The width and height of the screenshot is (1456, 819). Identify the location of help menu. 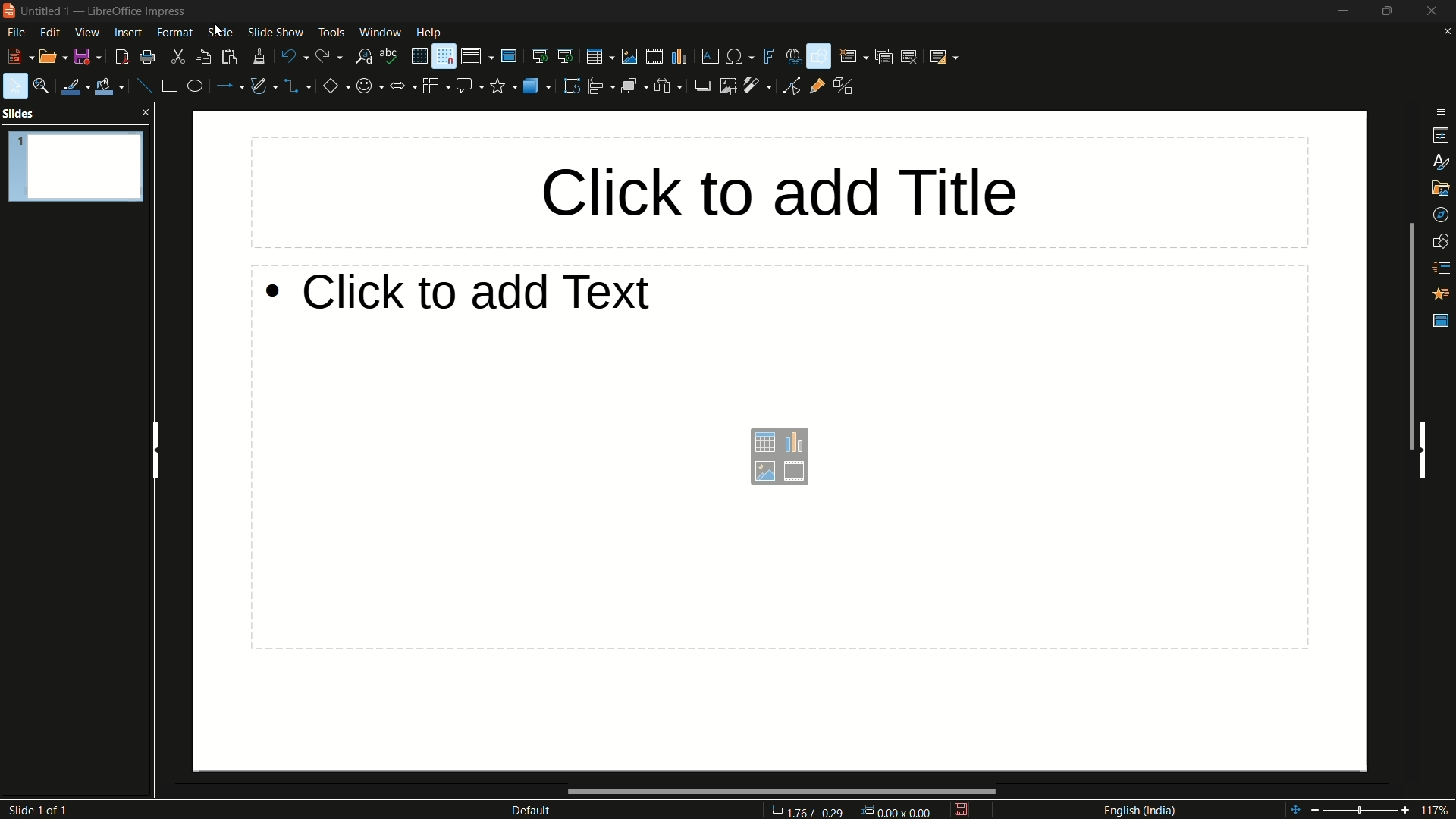
(429, 33).